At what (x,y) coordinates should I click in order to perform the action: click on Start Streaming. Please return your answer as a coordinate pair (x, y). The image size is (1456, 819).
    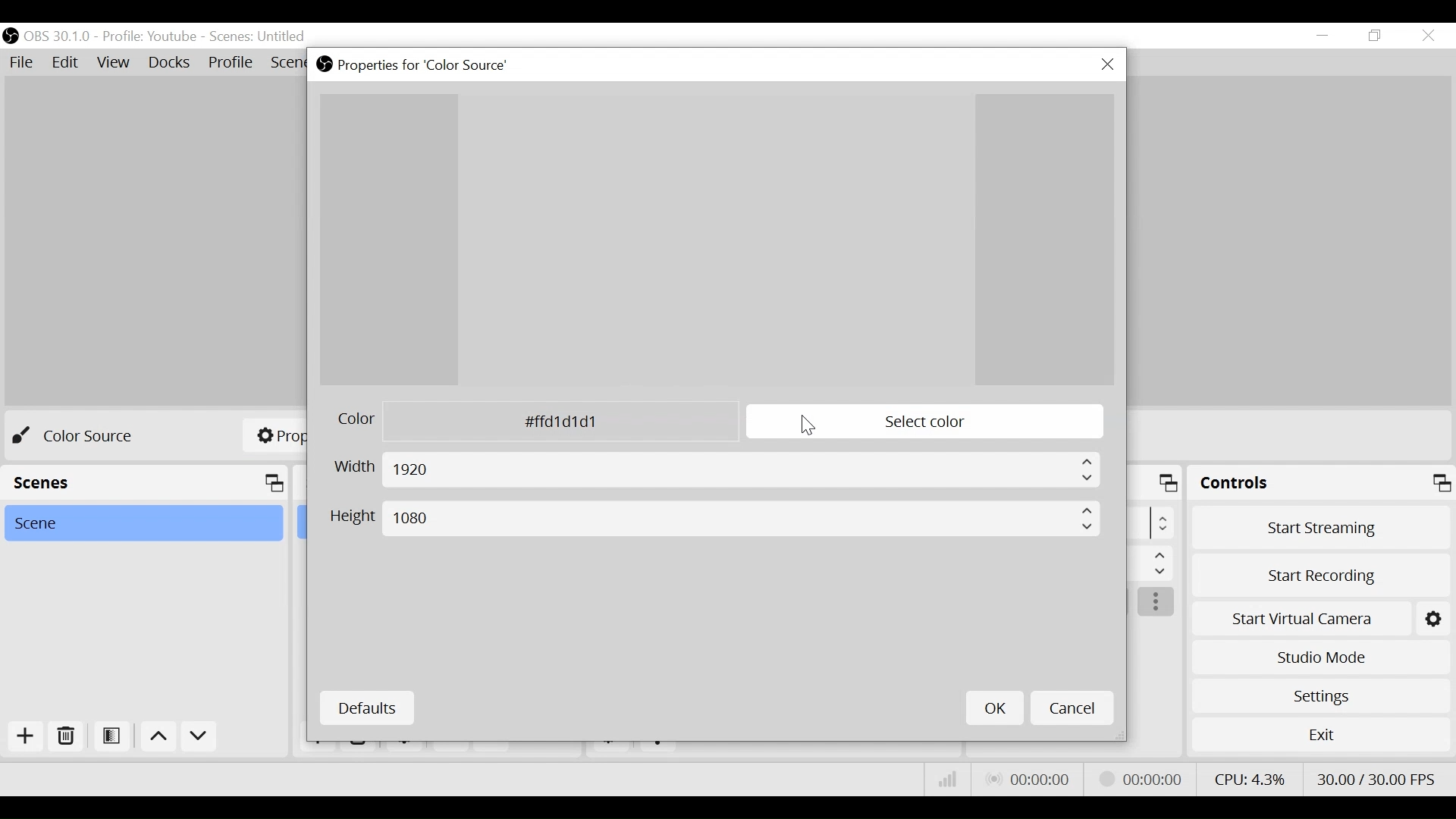
    Looking at the image, I should click on (1321, 531).